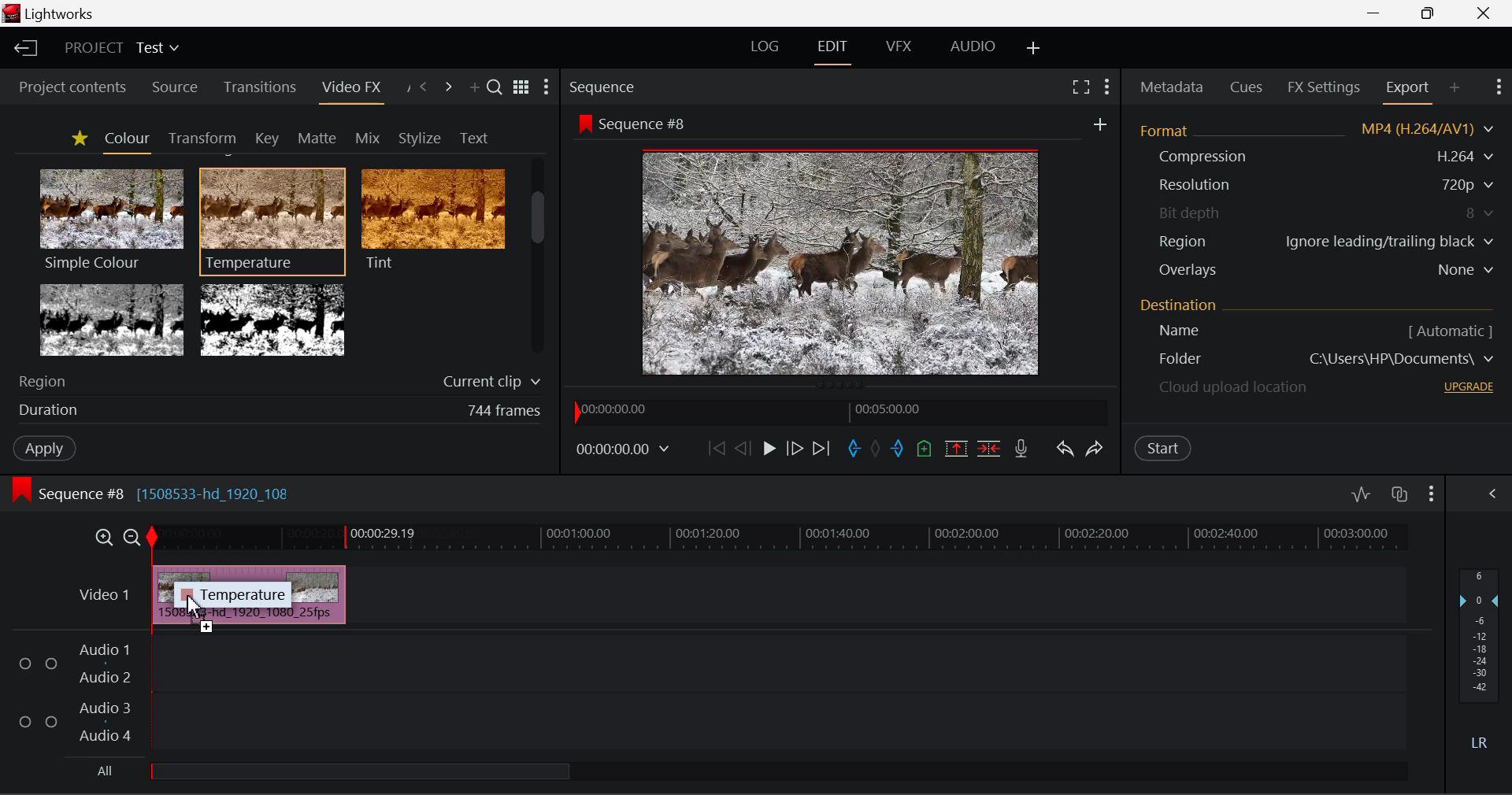  Describe the element at coordinates (77, 139) in the screenshot. I see `Favorites` at that location.